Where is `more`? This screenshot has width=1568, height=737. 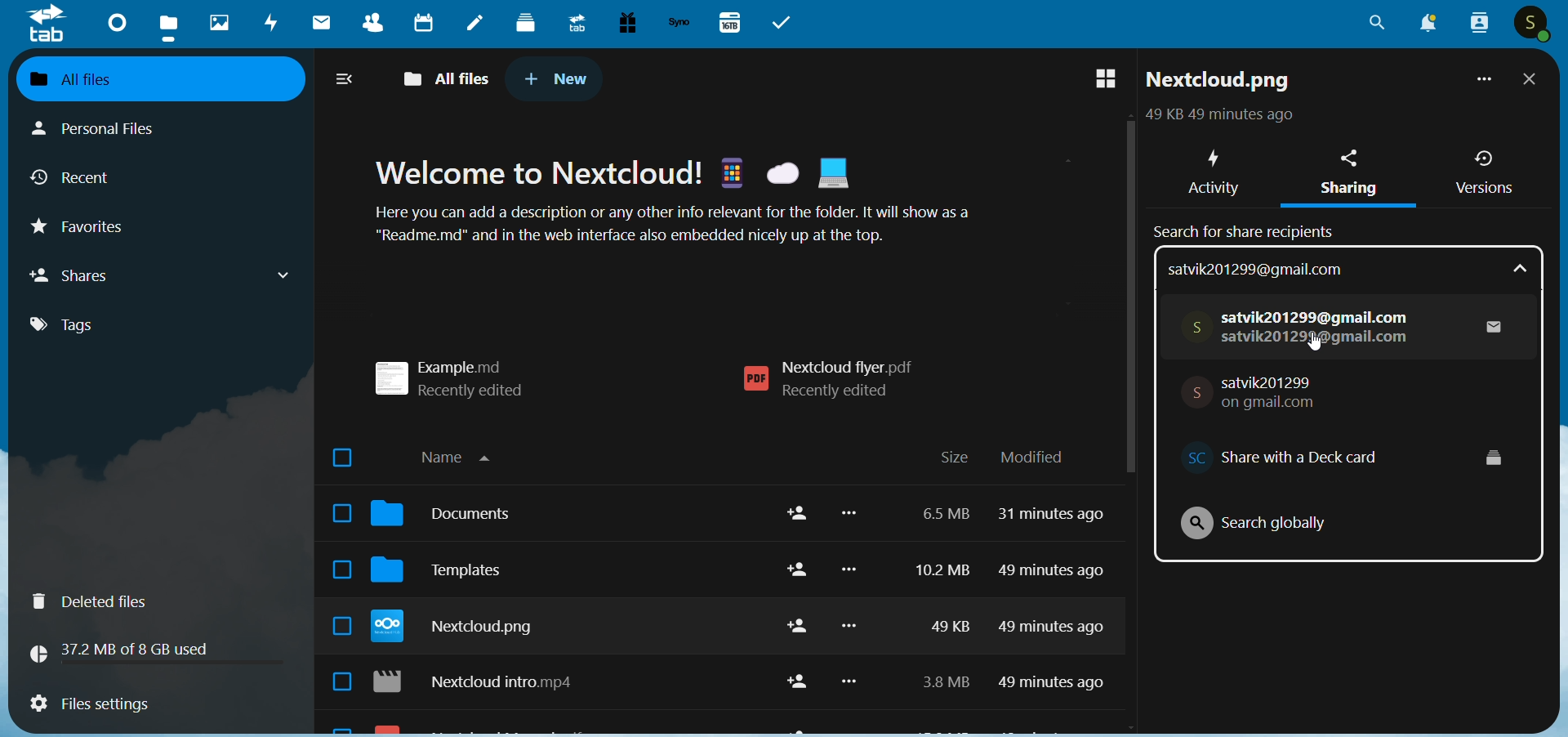 more is located at coordinates (853, 607).